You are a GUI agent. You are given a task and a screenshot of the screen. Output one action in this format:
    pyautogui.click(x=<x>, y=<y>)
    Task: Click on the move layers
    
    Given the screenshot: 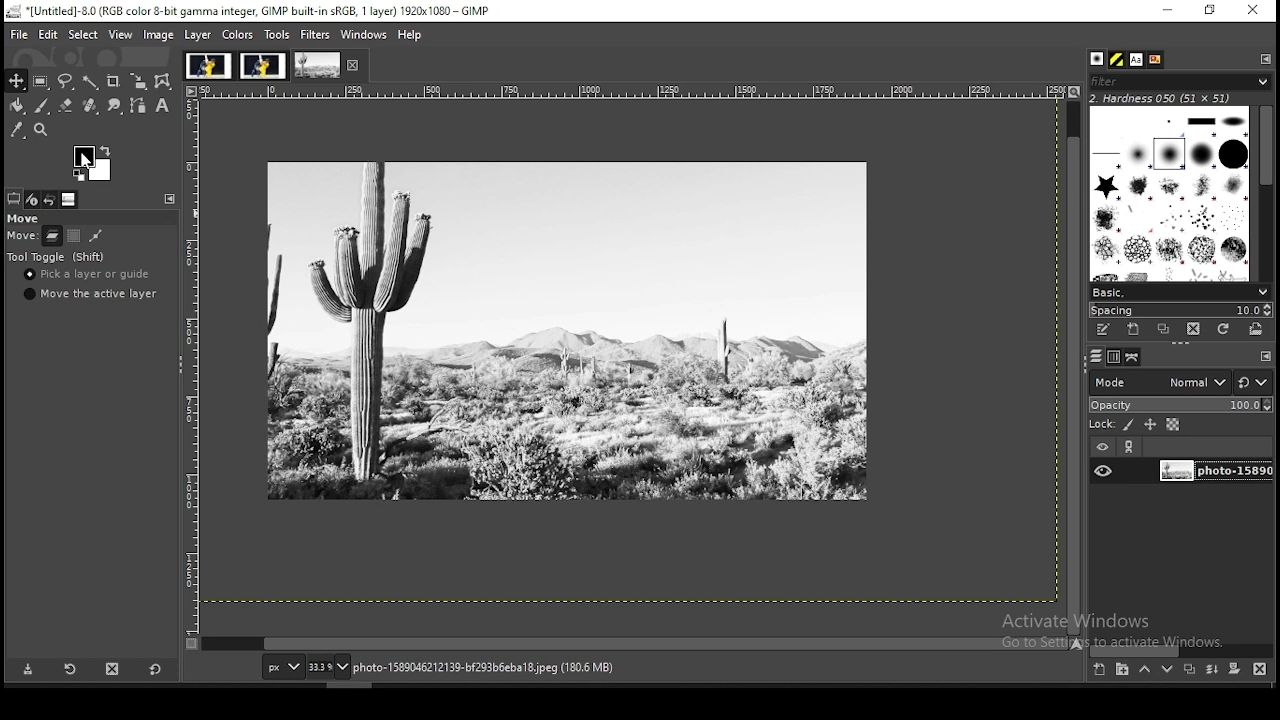 What is the action you would take?
    pyautogui.click(x=52, y=235)
    